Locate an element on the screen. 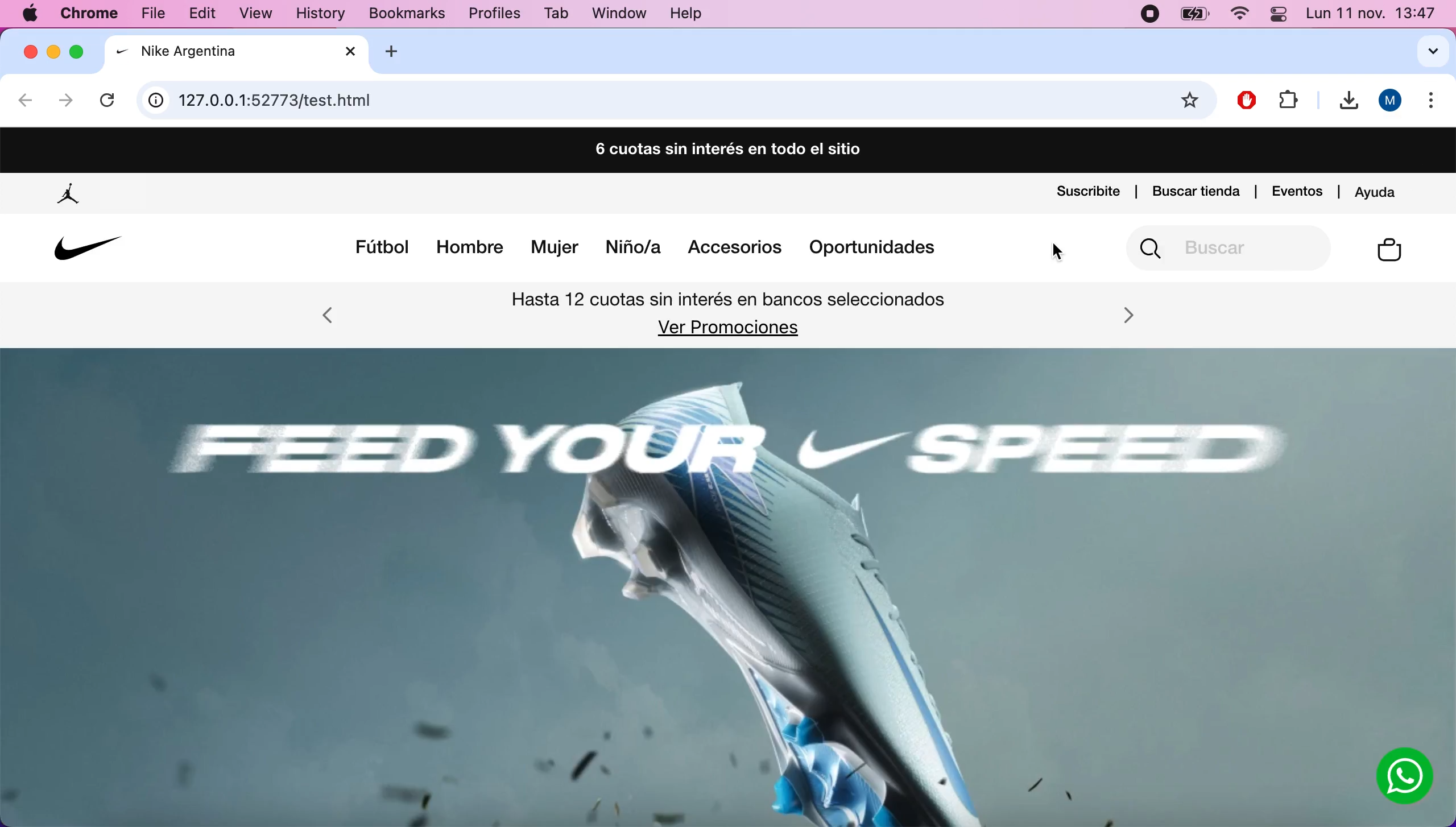 The height and width of the screenshot is (827, 1456). reload current page is located at coordinates (110, 97).